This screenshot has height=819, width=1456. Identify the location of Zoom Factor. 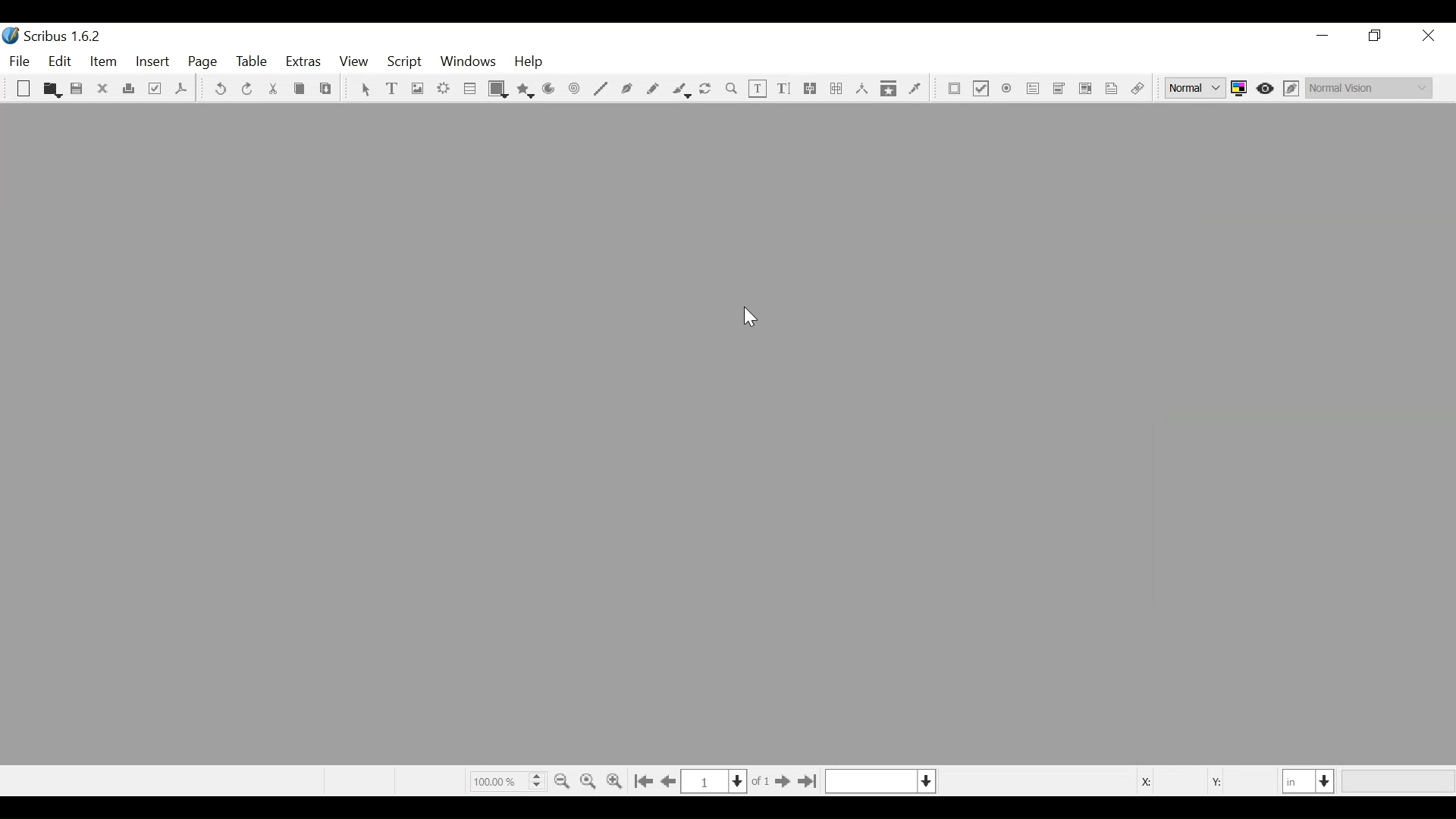
(507, 780).